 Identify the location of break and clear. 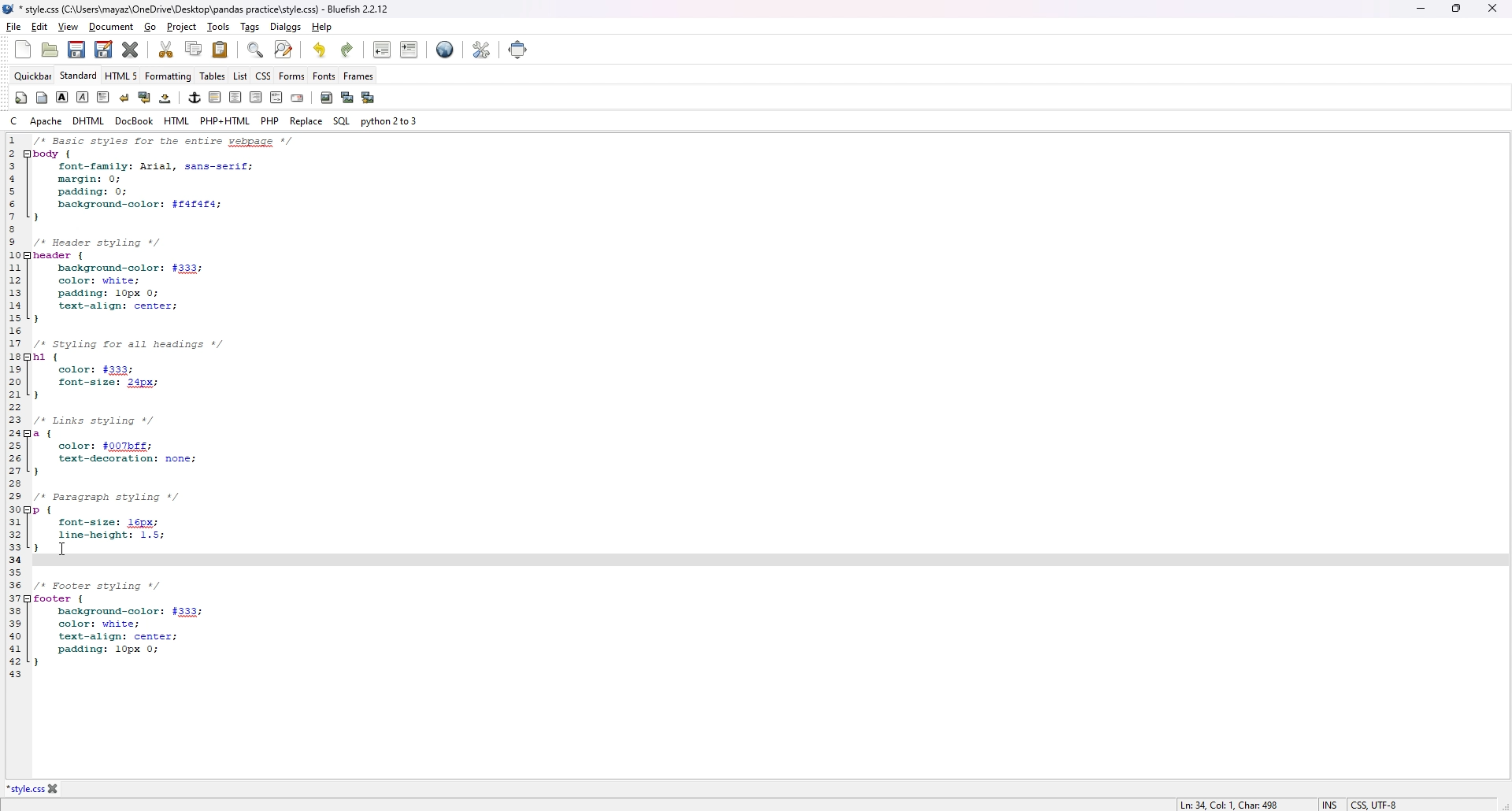
(143, 97).